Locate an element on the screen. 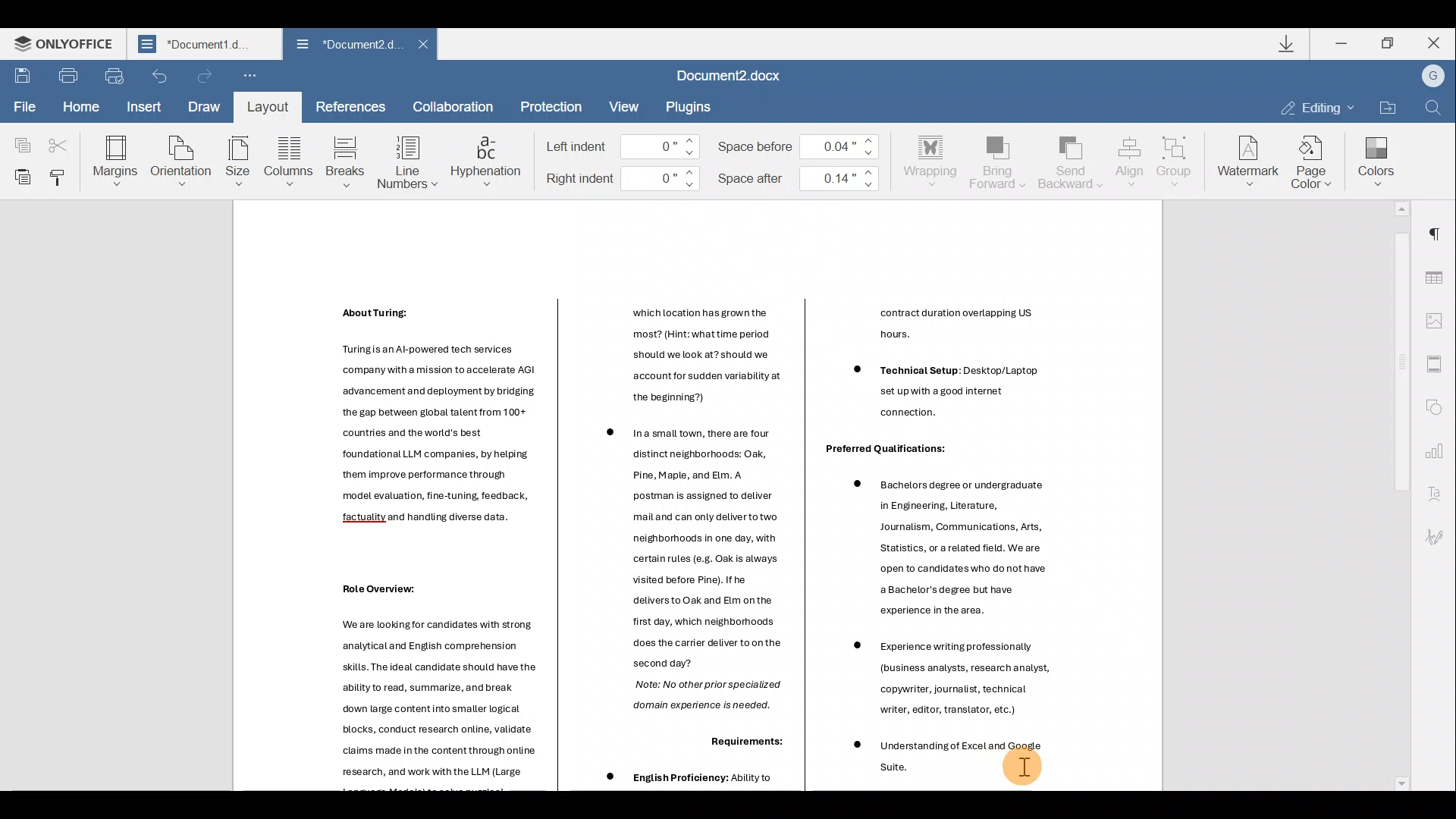 Image resolution: width=1456 pixels, height=819 pixels.  is located at coordinates (378, 593).